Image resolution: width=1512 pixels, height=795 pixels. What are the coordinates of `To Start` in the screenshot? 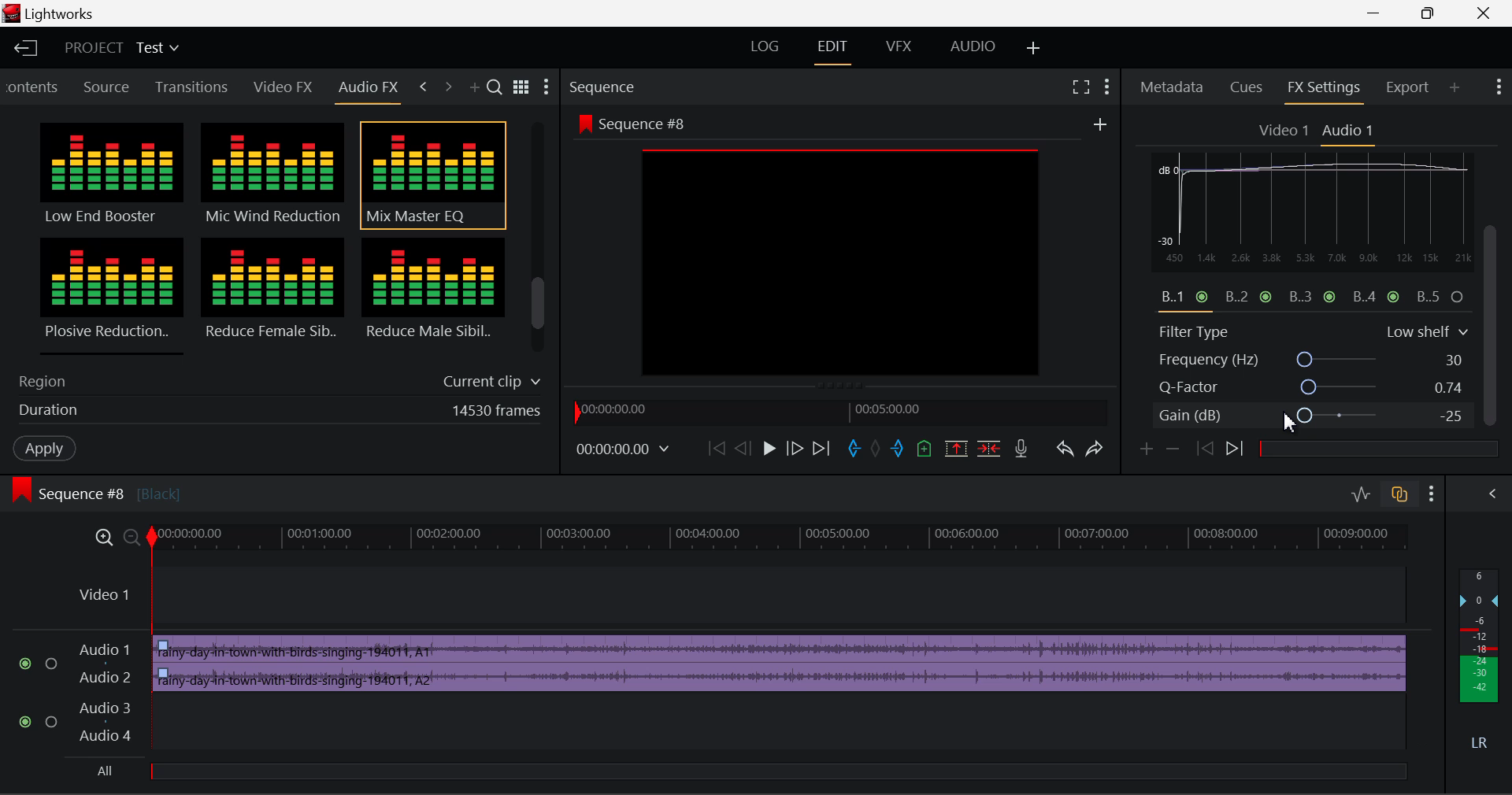 It's located at (715, 449).